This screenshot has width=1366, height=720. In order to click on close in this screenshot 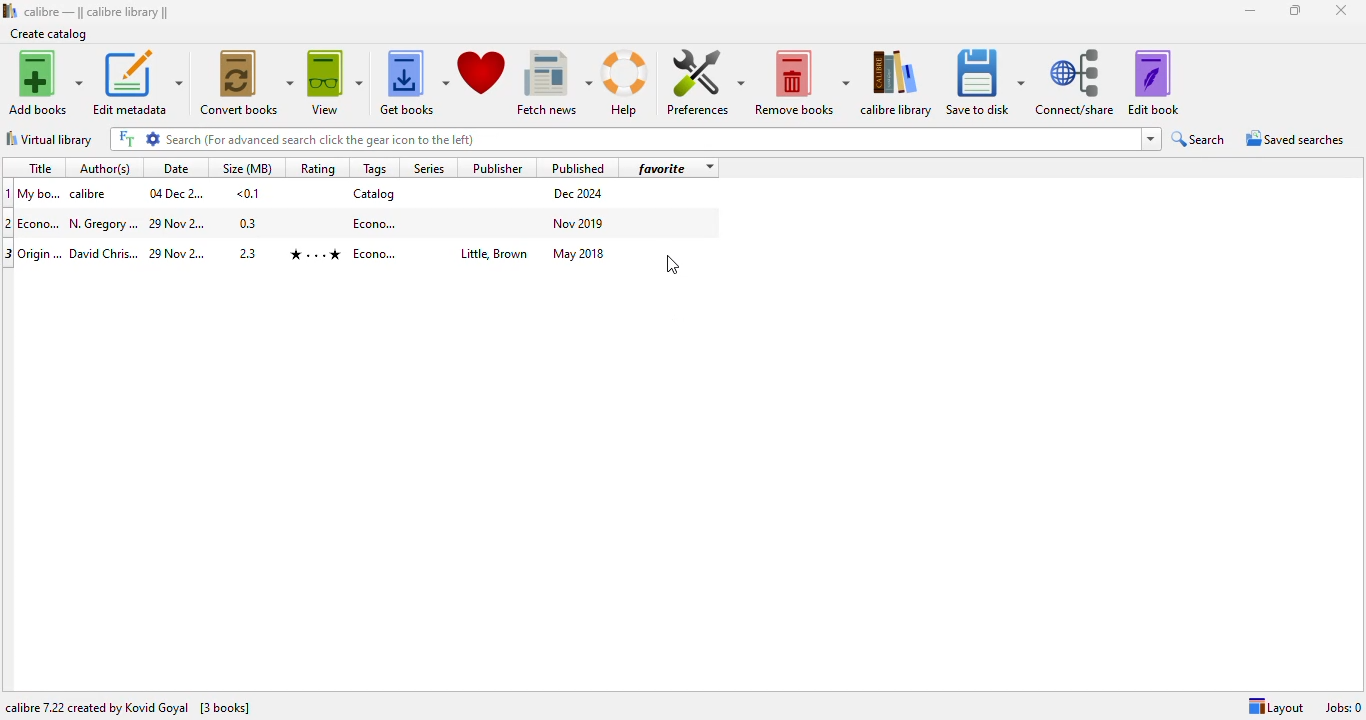, I will do `click(1340, 10)`.